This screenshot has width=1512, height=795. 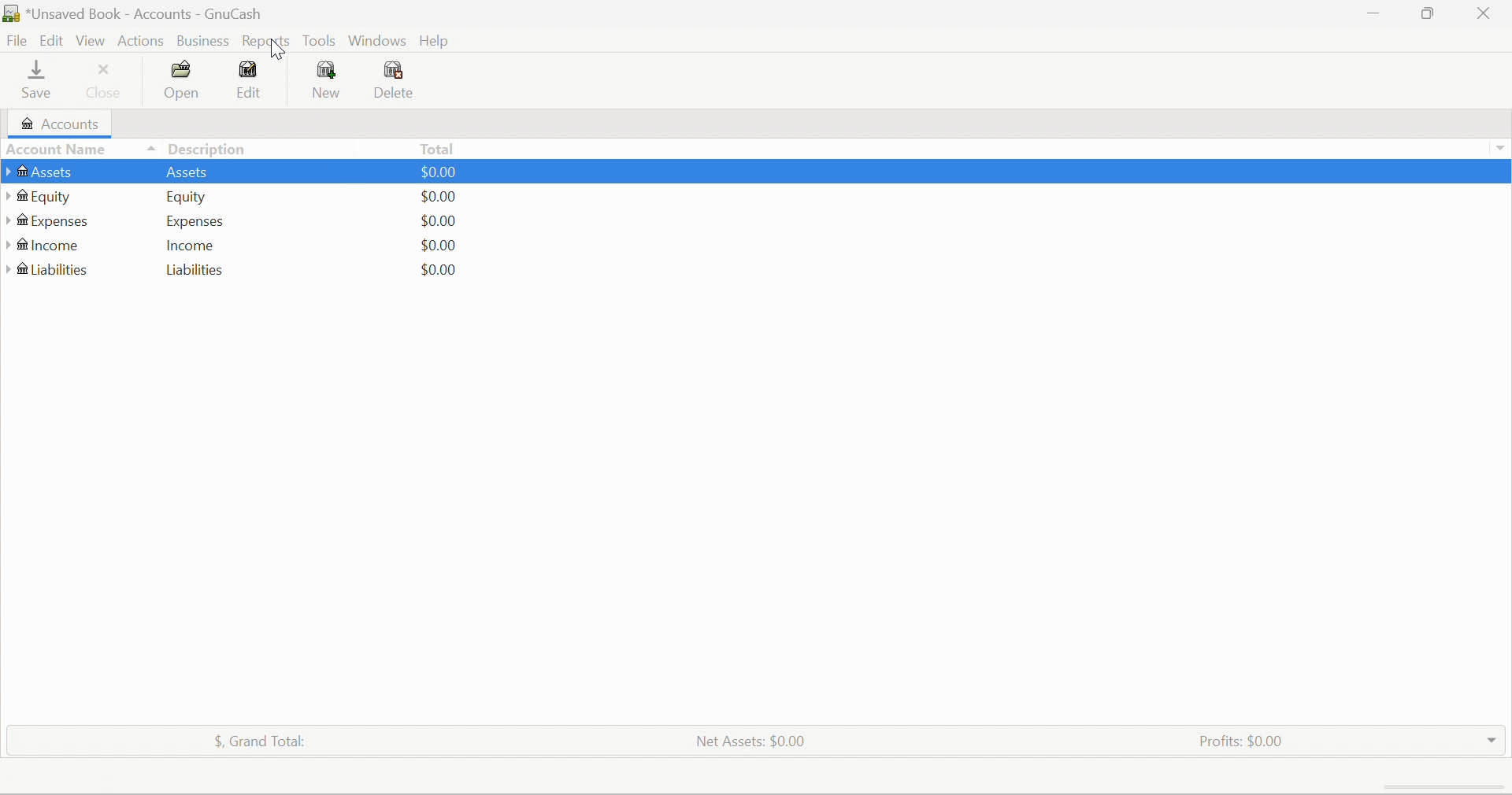 I want to click on Income, so click(x=44, y=248).